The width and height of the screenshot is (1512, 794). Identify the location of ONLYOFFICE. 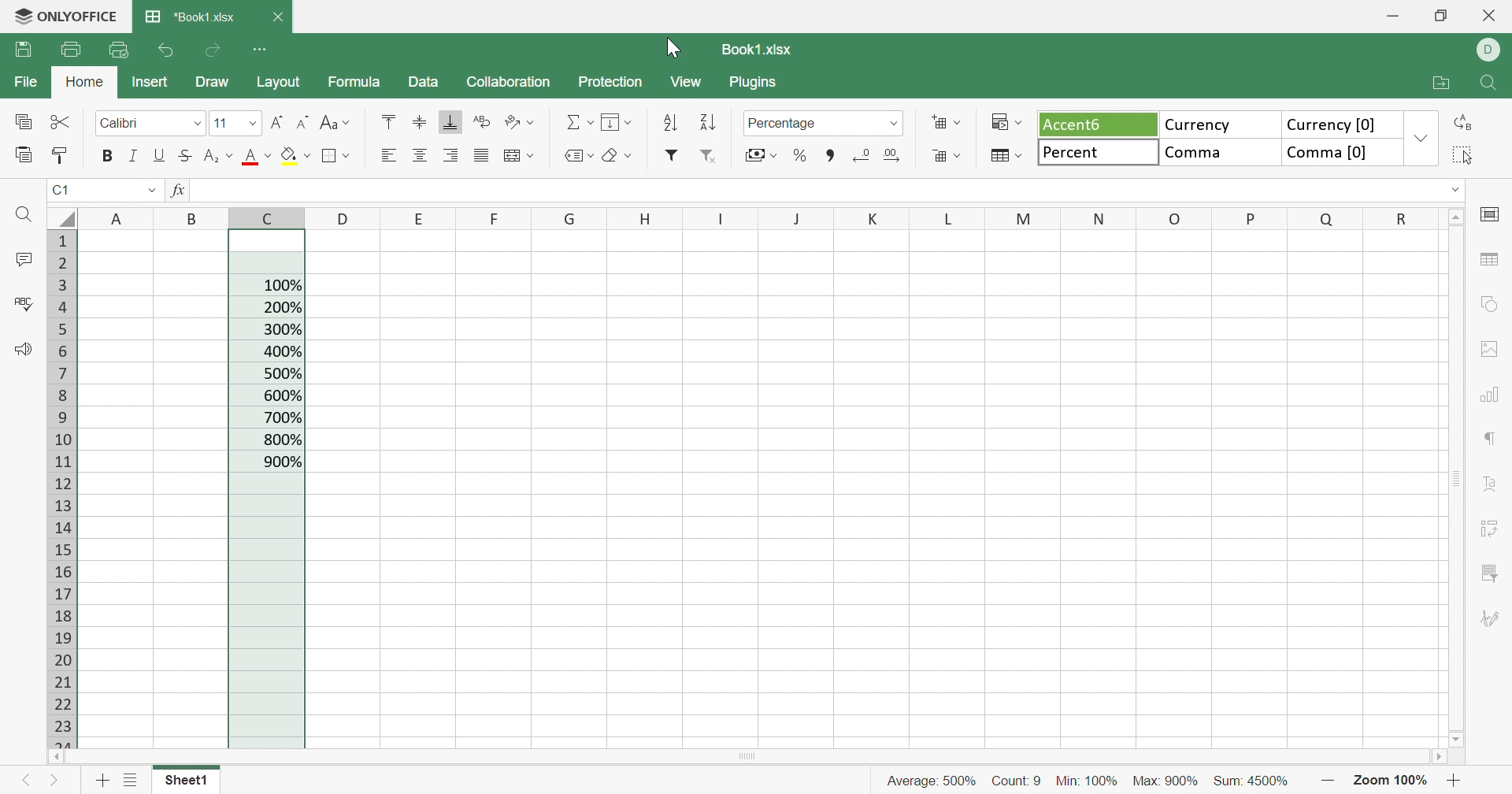
(63, 17).